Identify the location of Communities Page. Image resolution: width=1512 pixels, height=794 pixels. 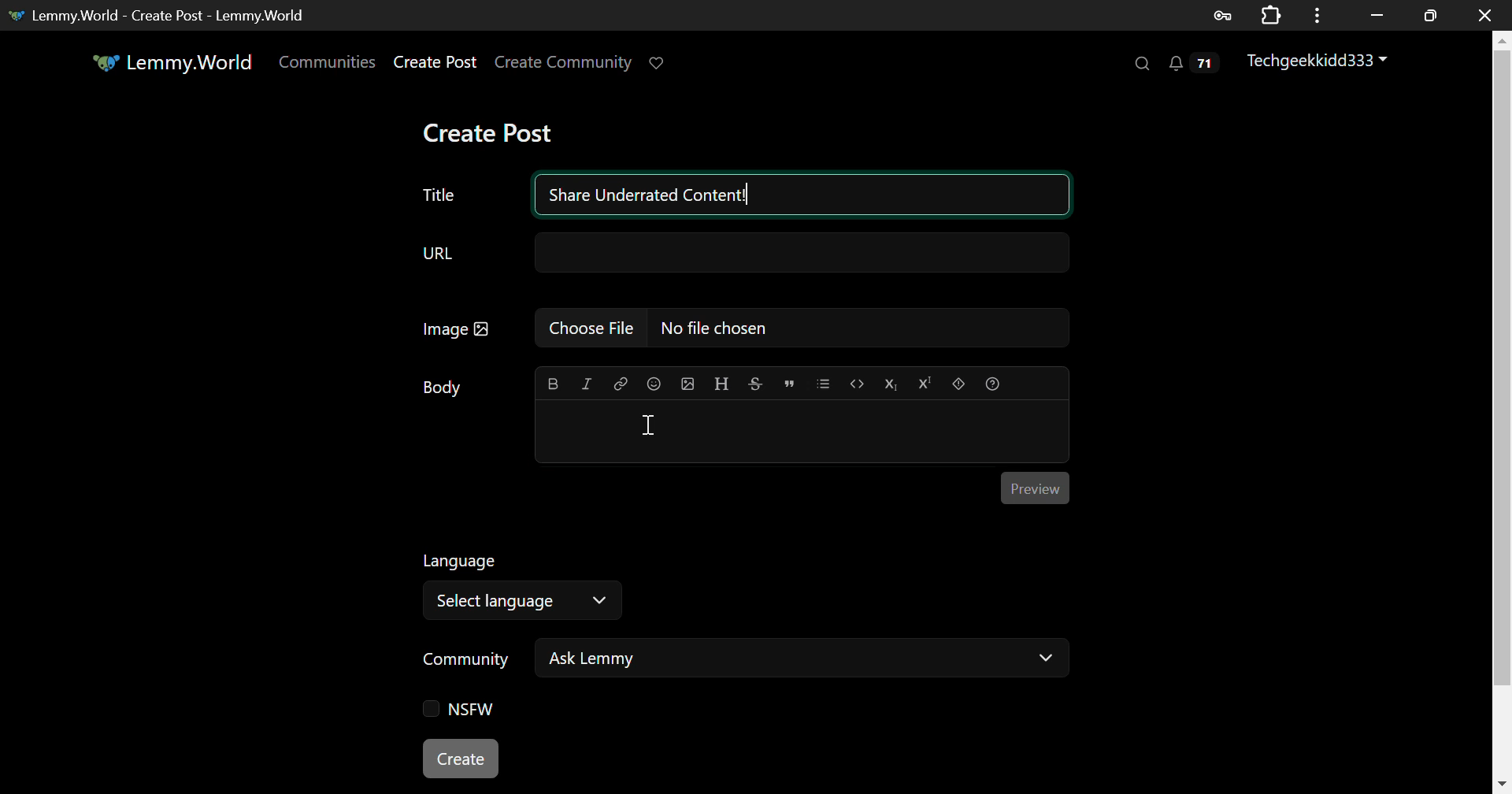
(329, 63).